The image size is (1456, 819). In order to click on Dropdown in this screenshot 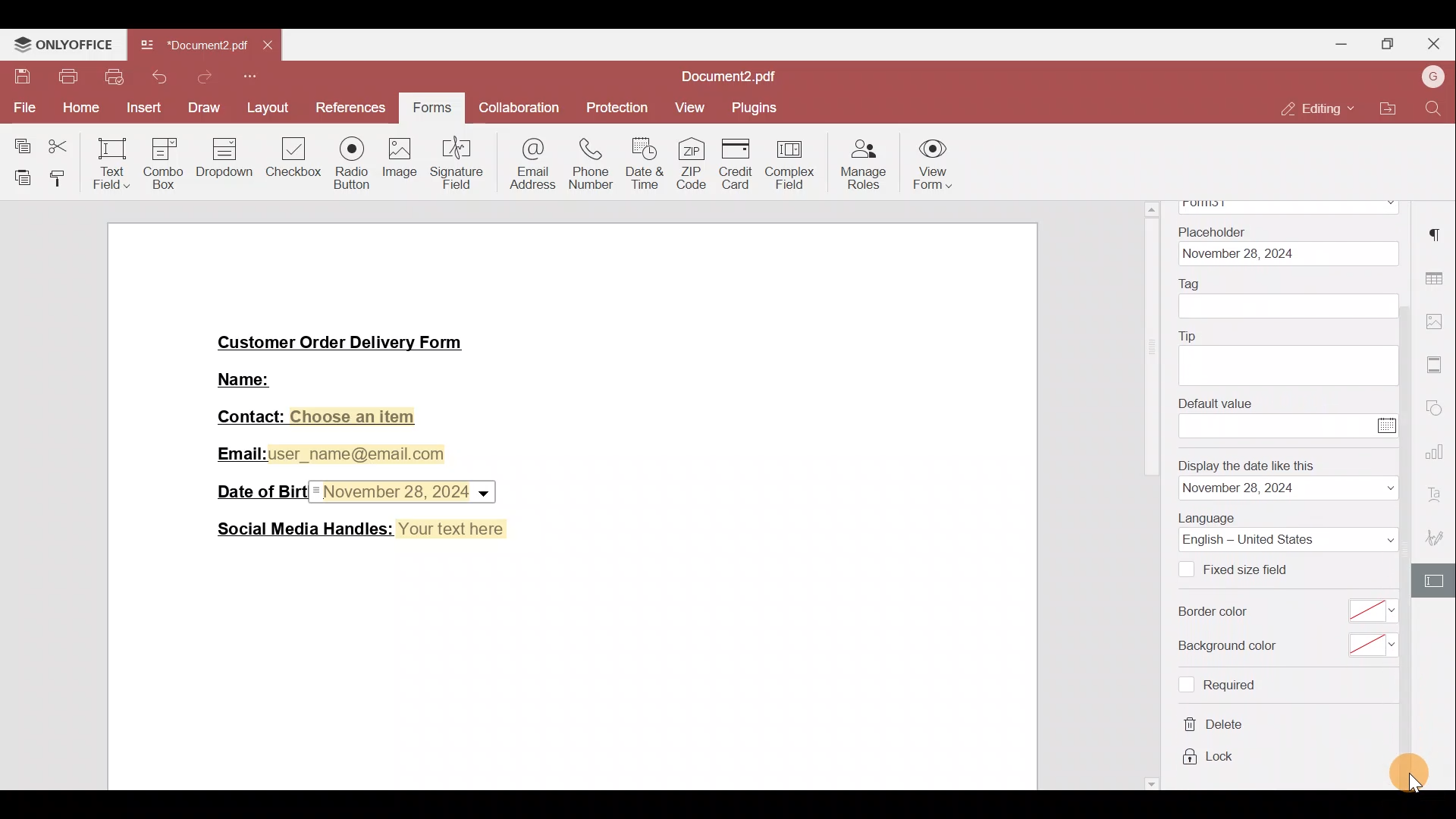, I will do `click(226, 161)`.